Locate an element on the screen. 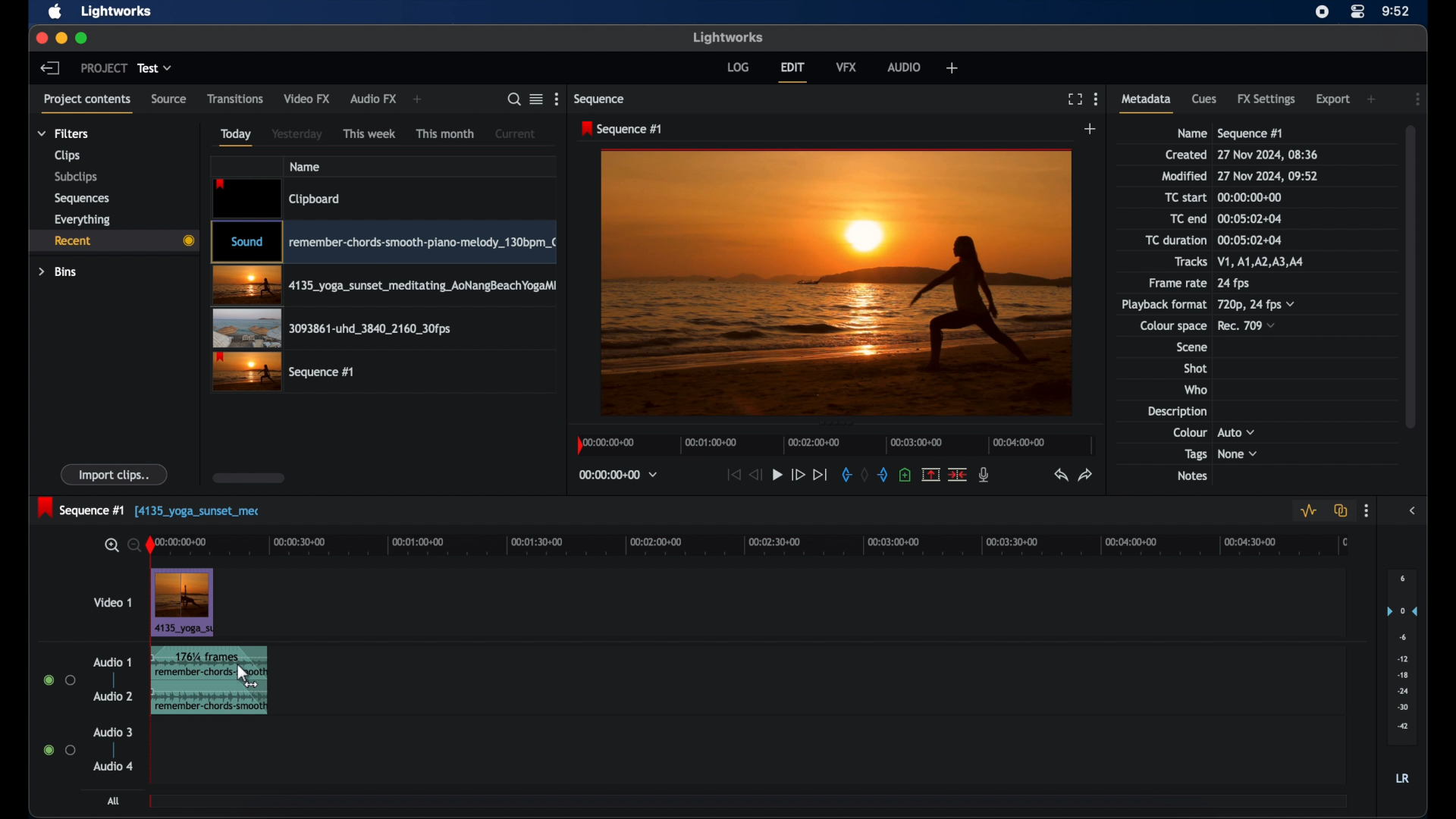 This screenshot has height=819, width=1456. transitions is located at coordinates (235, 98).